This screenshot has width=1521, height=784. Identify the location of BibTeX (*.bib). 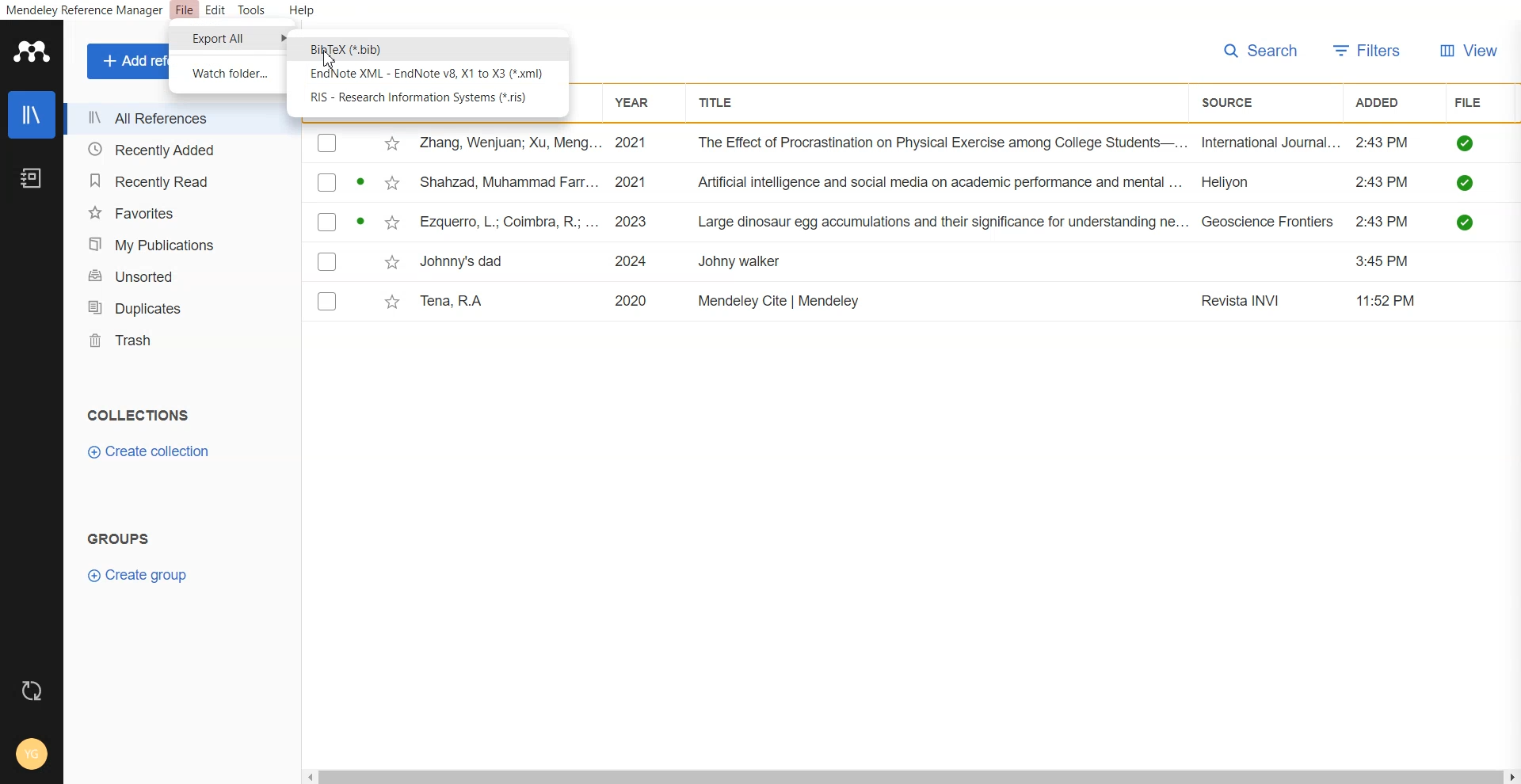
(349, 48).